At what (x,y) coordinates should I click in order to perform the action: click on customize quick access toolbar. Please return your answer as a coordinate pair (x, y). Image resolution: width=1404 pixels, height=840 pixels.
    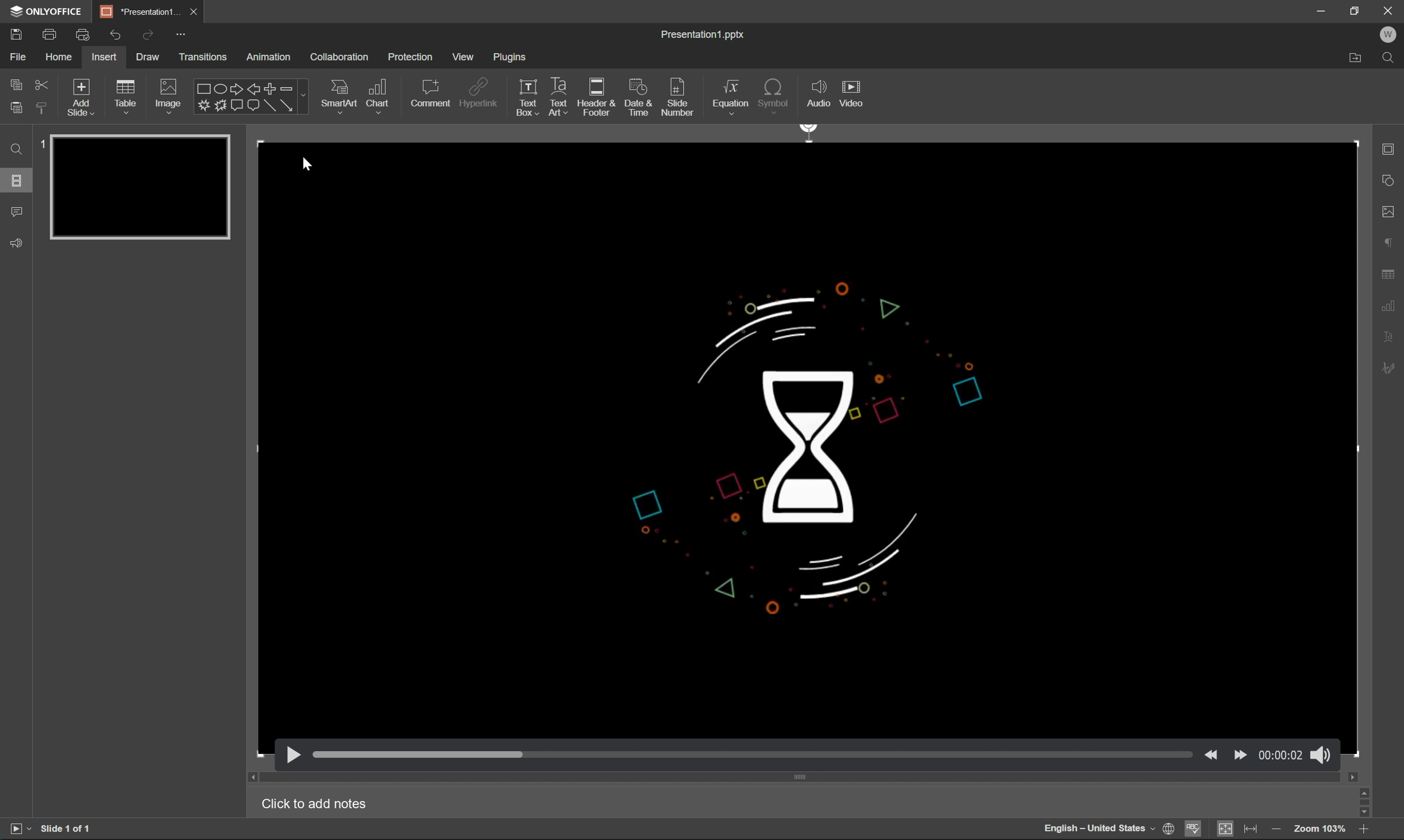
    Looking at the image, I should click on (183, 35).